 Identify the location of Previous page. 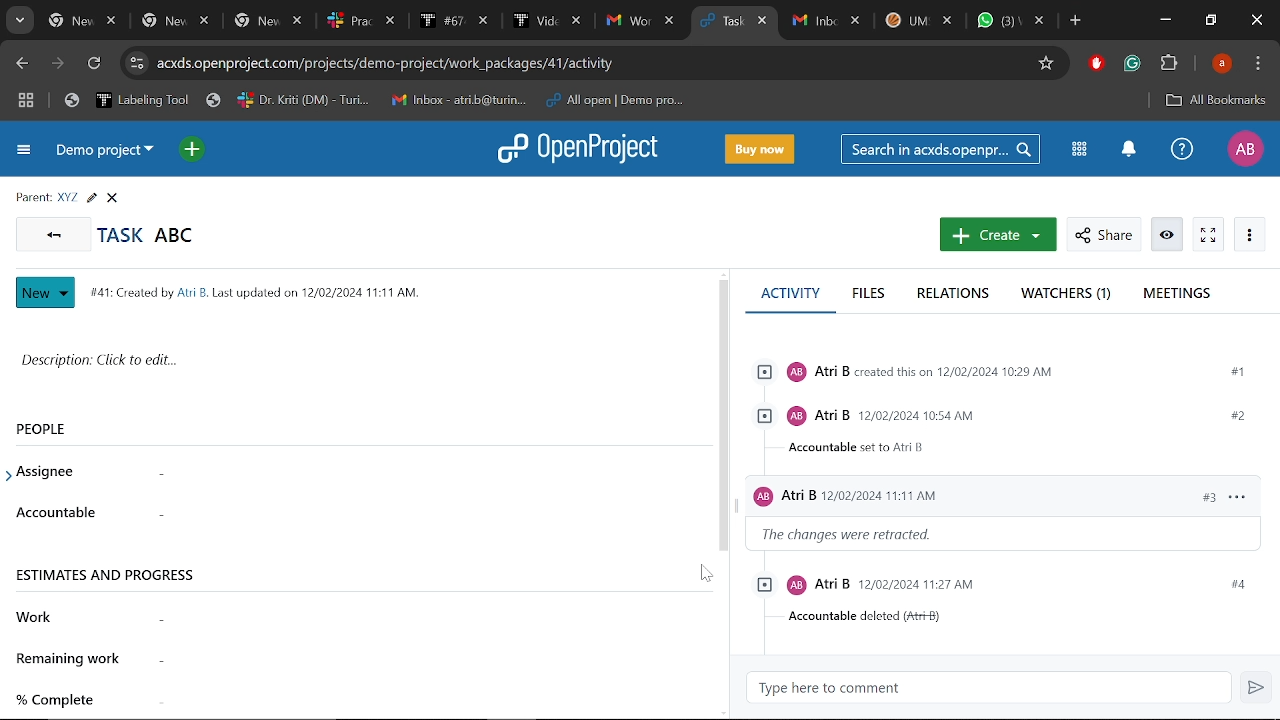
(23, 64).